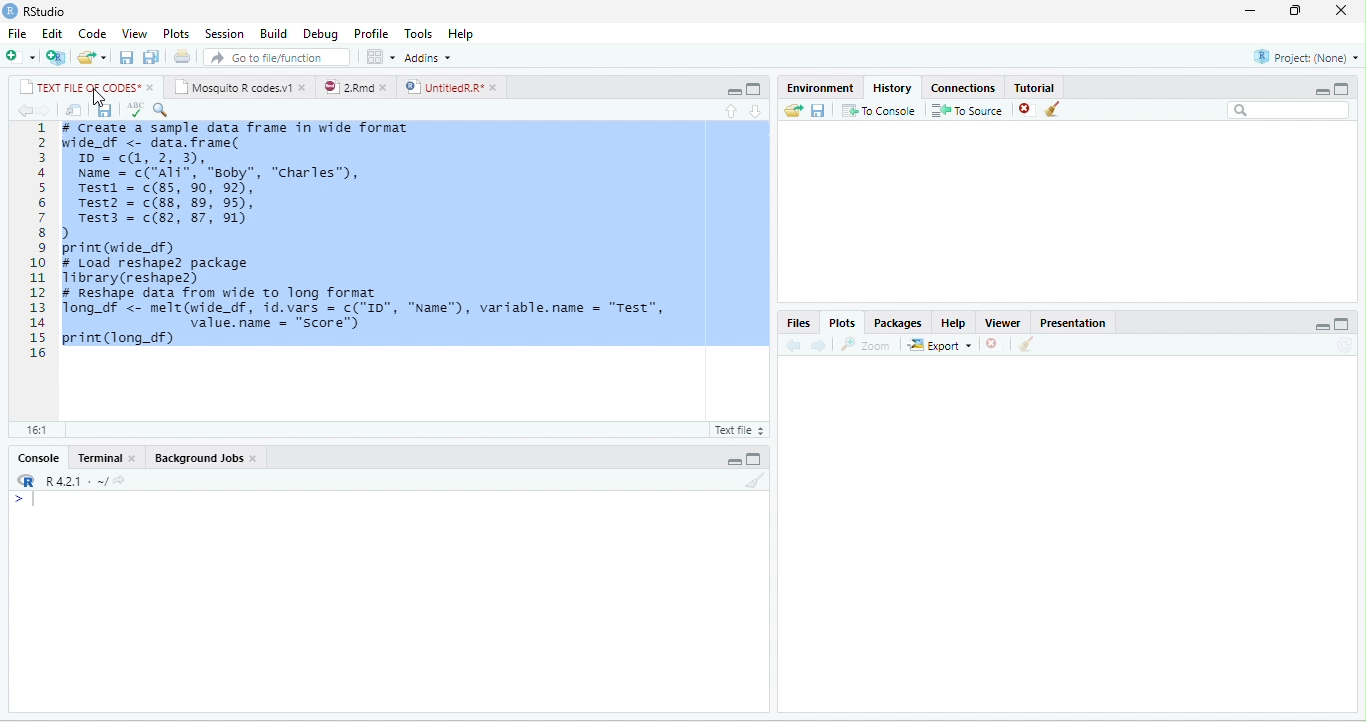 This screenshot has width=1366, height=722. I want to click on Presentation, so click(1072, 323).